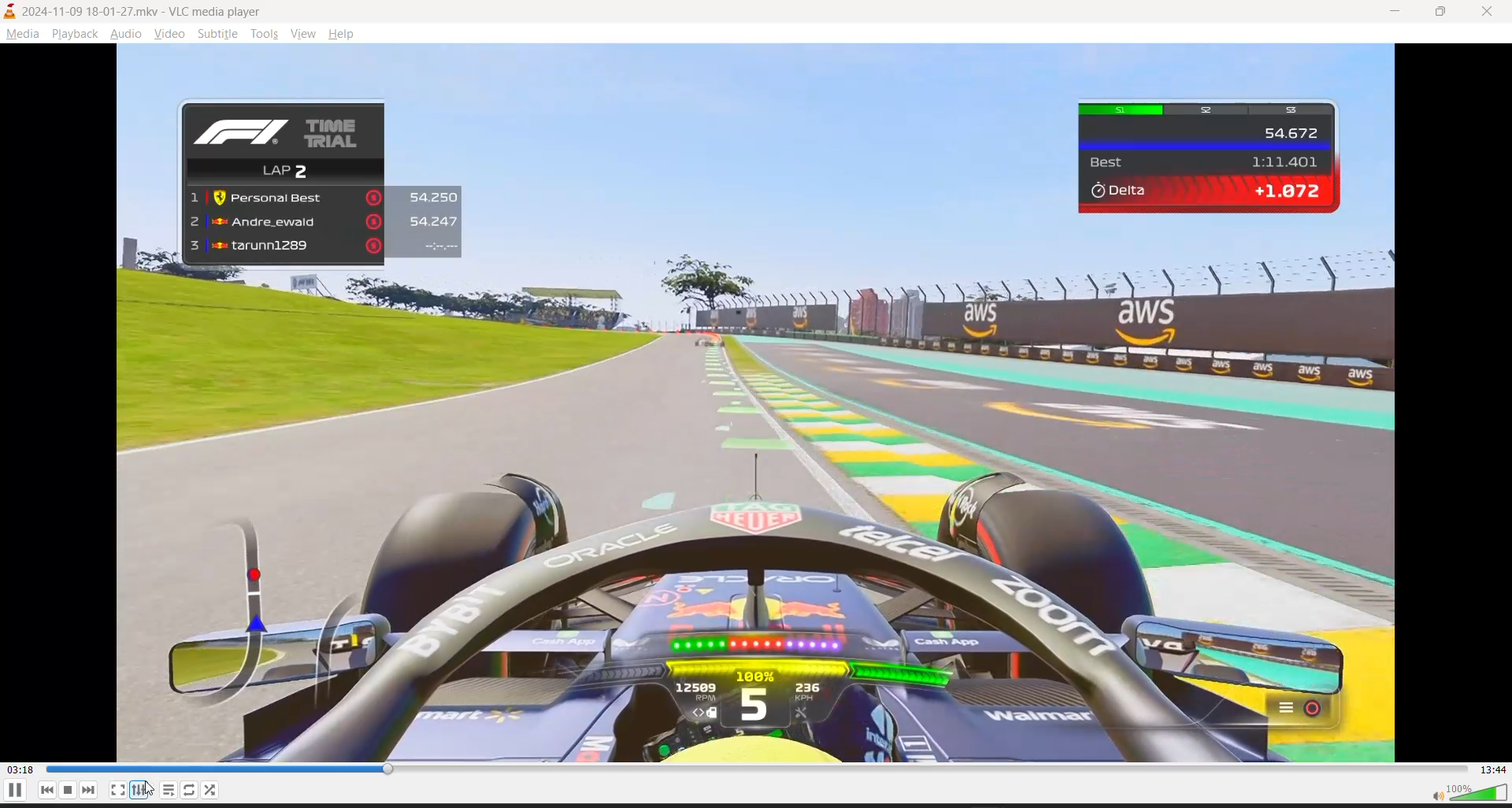 The width and height of the screenshot is (1512, 808). I want to click on playback, so click(73, 33).